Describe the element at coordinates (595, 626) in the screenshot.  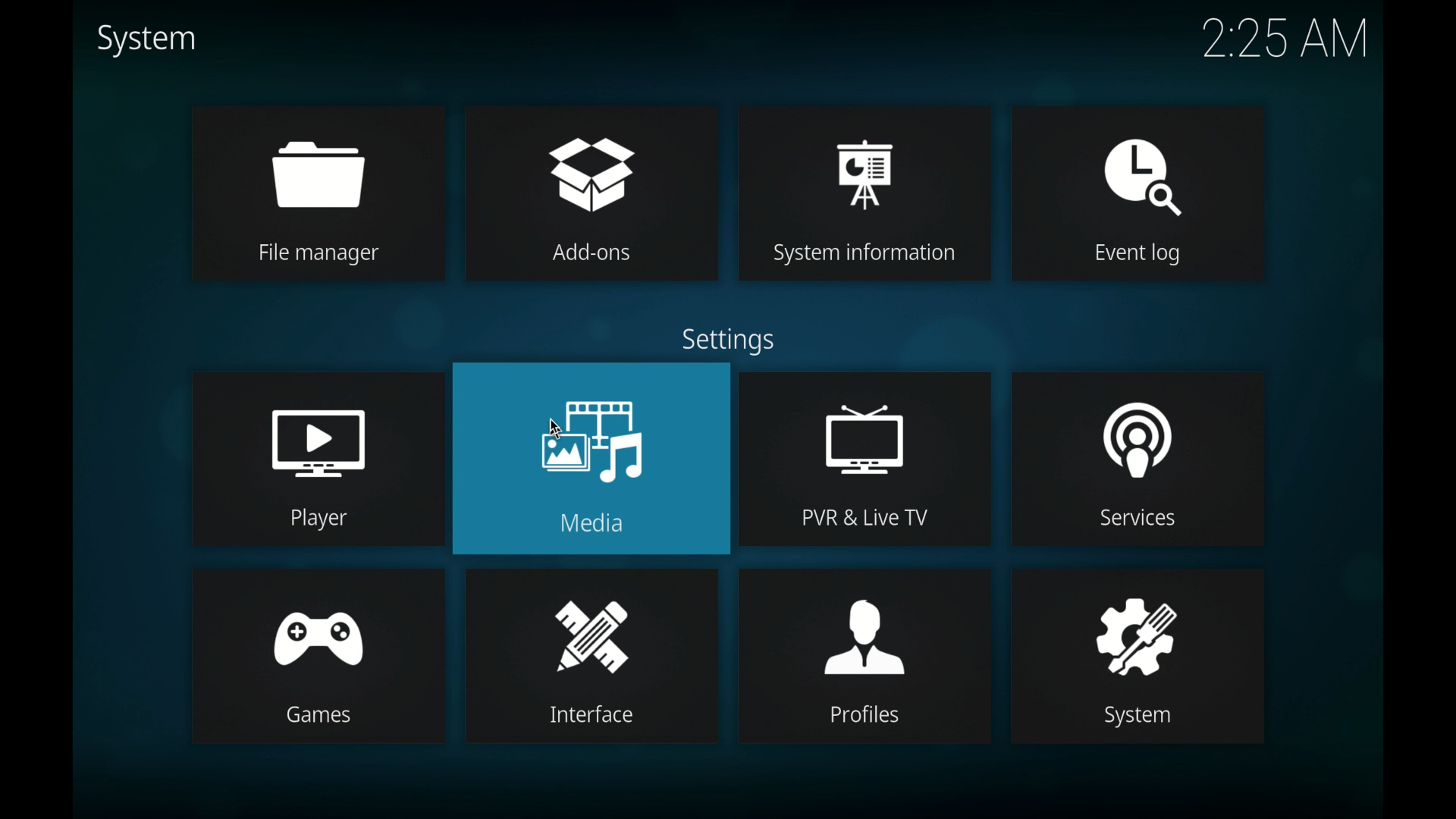
I see `interface` at that location.